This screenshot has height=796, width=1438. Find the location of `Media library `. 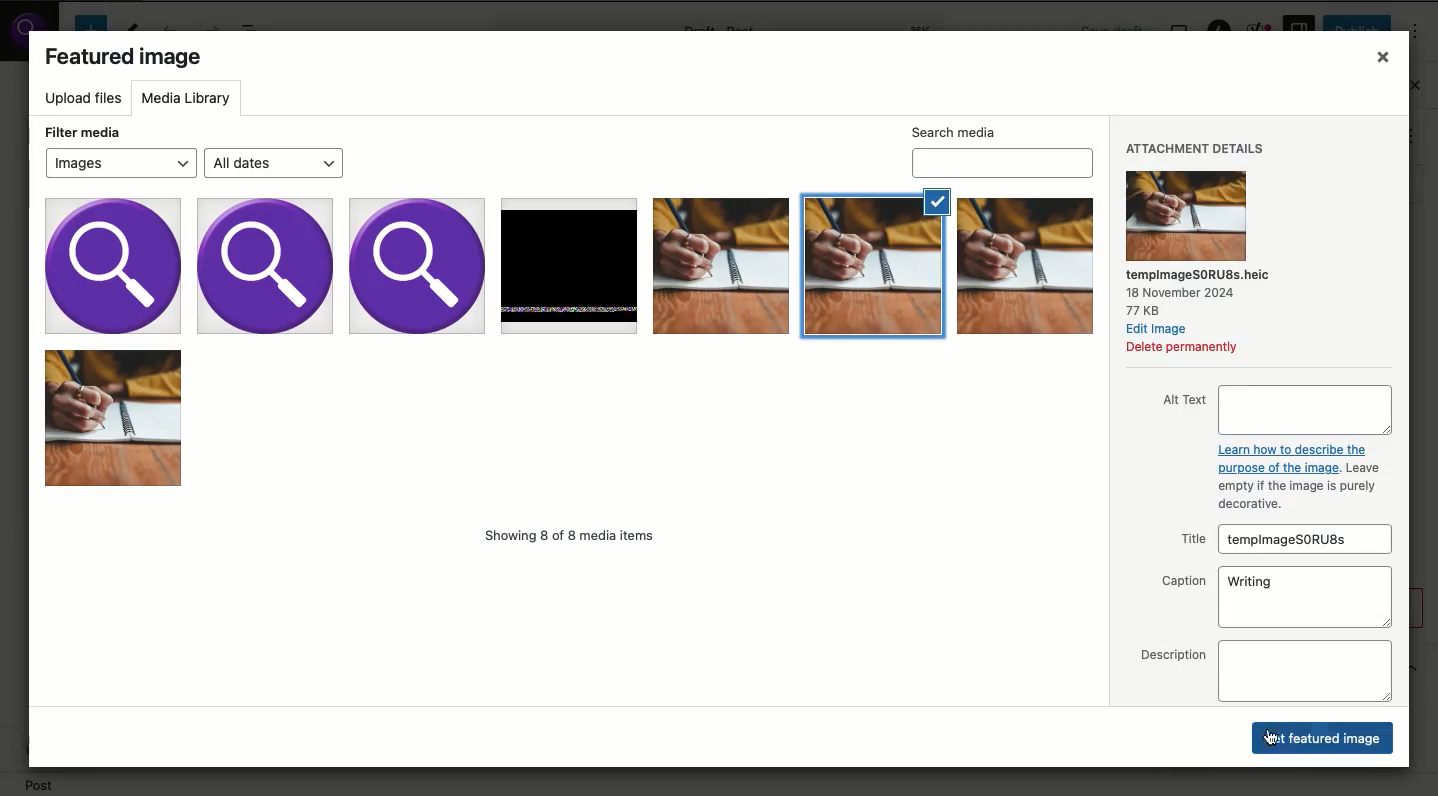

Media library  is located at coordinates (192, 101).